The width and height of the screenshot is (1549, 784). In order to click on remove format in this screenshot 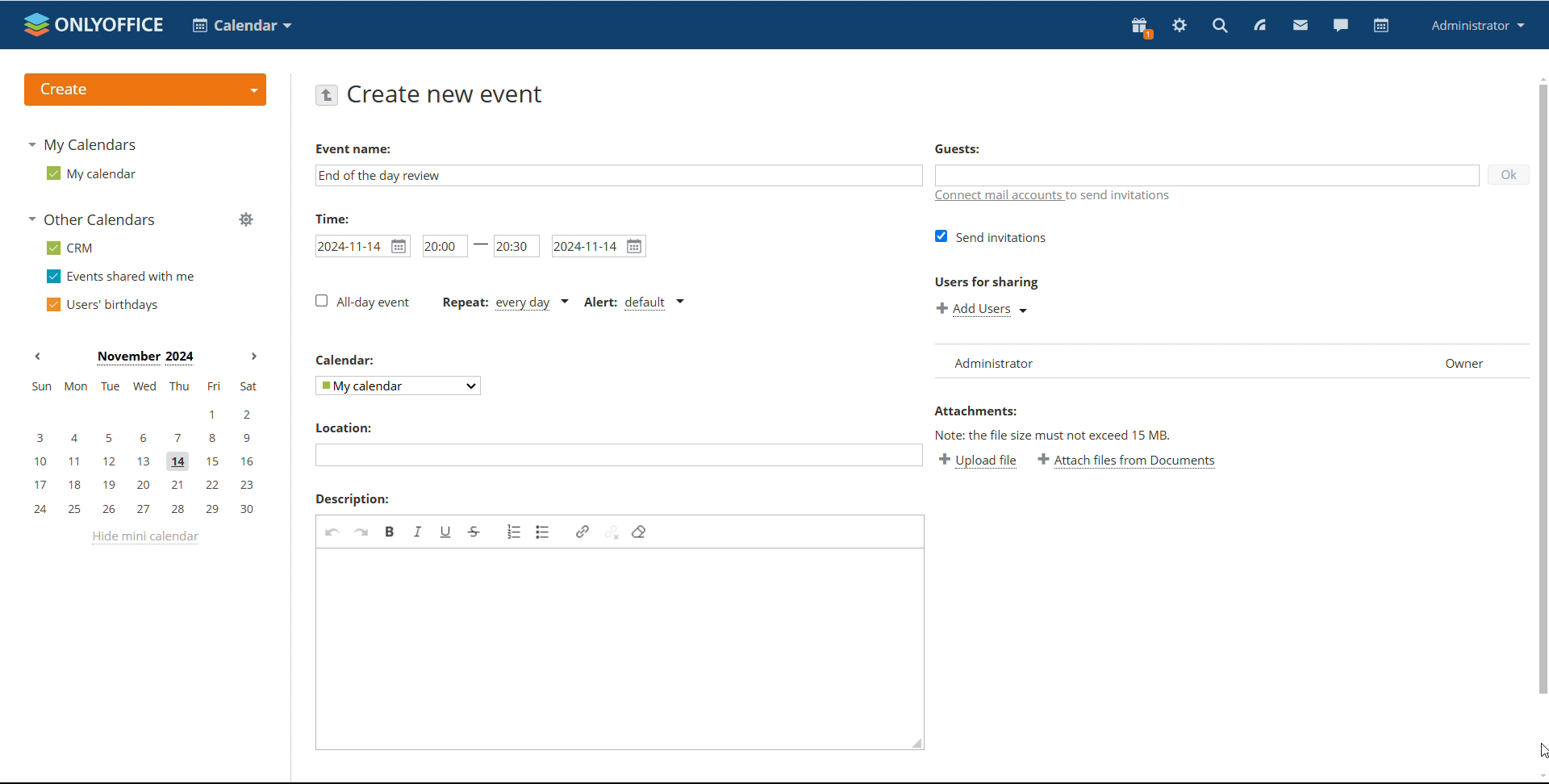, I will do `click(639, 532)`.